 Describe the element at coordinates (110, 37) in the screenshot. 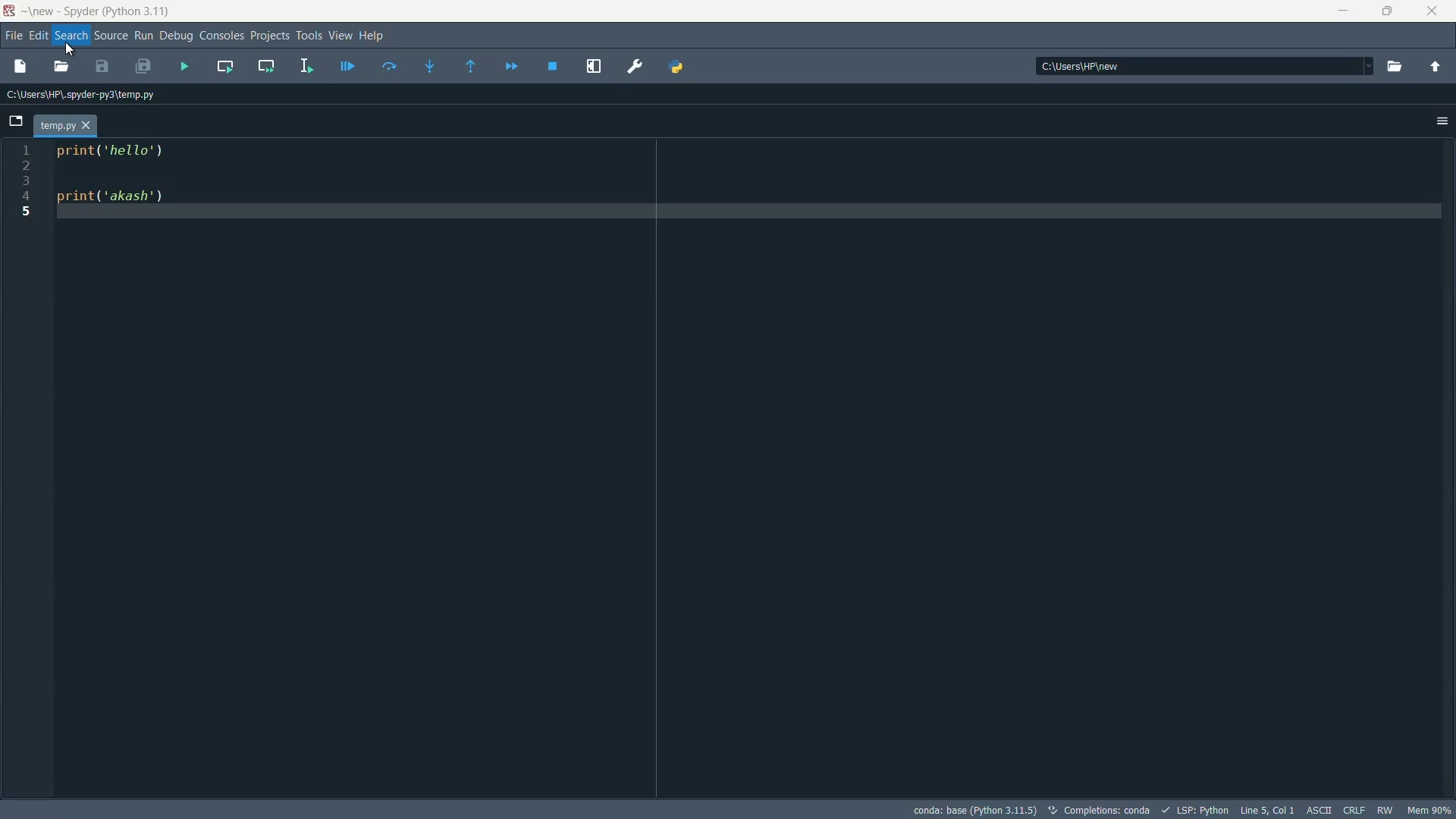

I see `source menu` at that location.